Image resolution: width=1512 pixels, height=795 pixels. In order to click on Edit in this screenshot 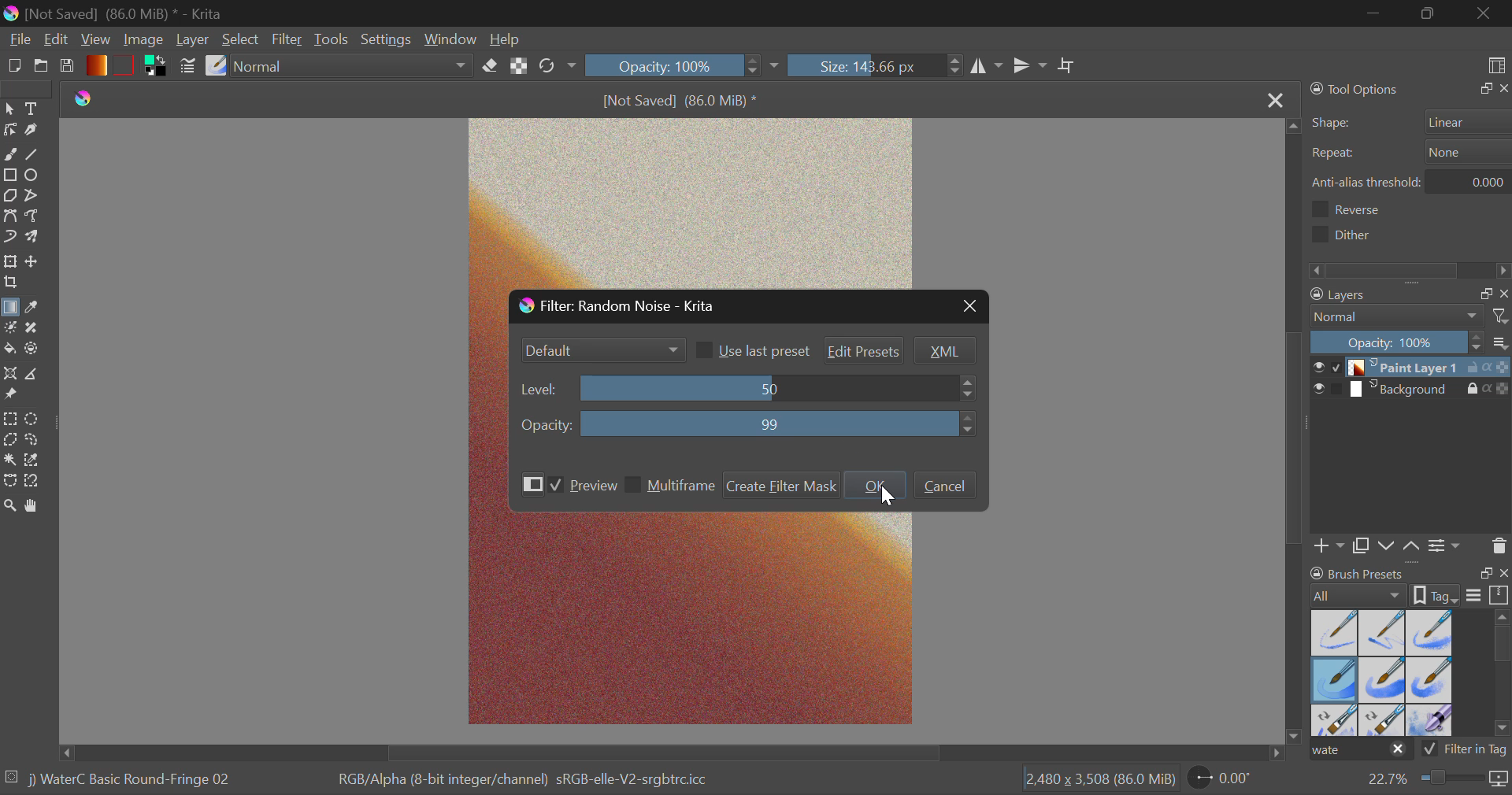, I will do `click(56, 39)`.